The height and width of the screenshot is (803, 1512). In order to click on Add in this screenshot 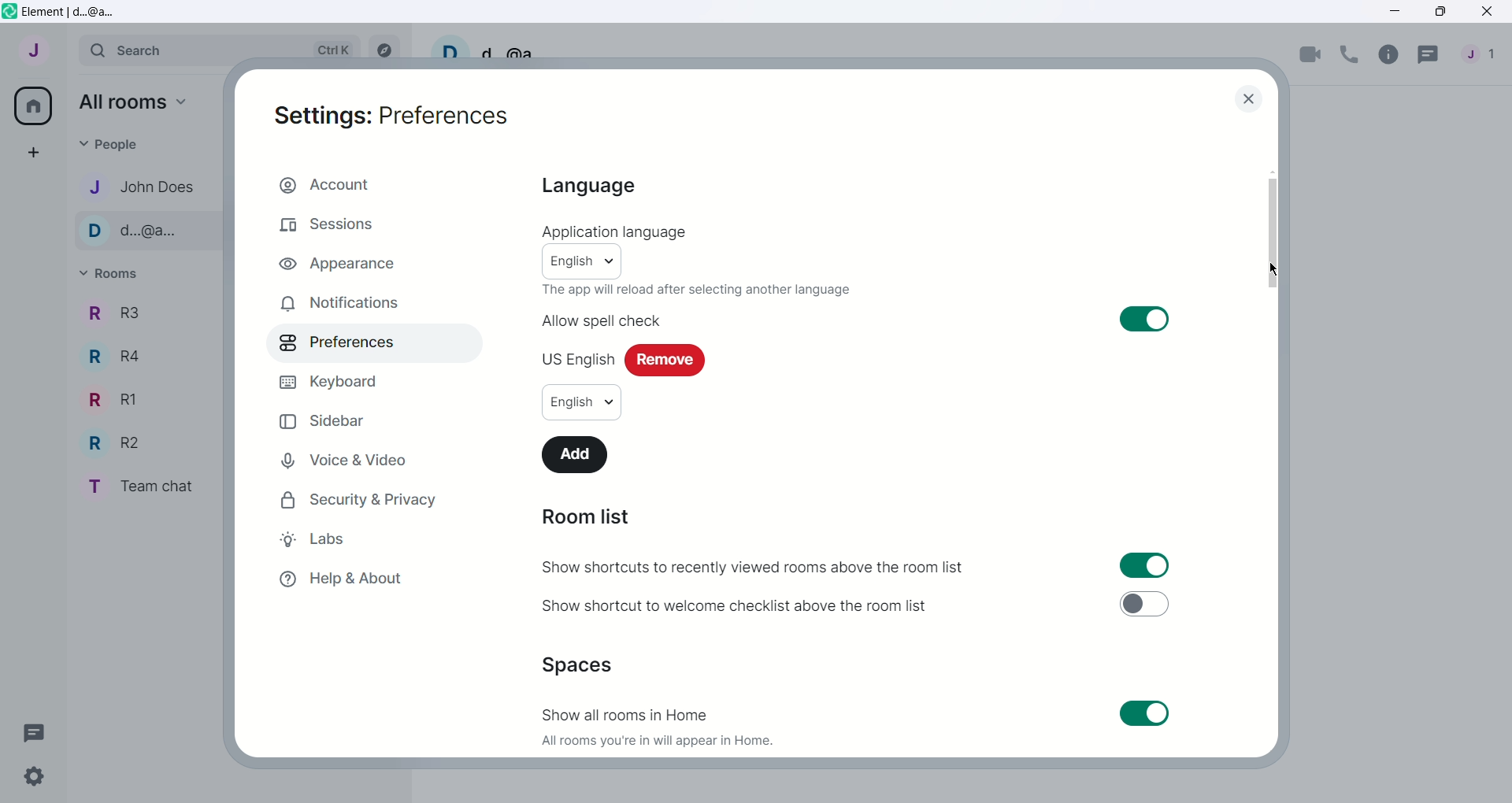, I will do `click(575, 455)`.